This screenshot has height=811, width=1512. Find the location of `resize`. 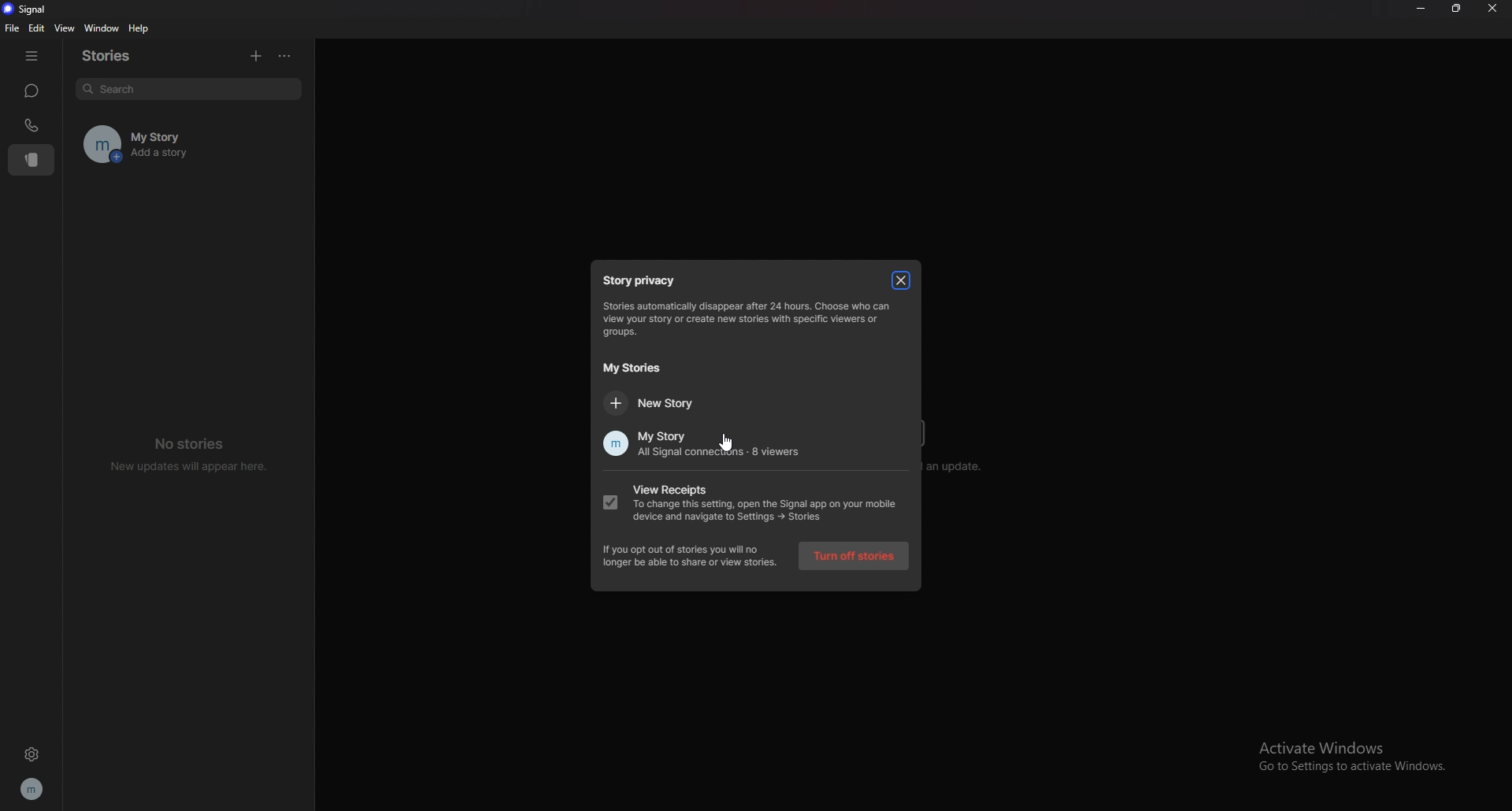

resize is located at coordinates (1456, 9).